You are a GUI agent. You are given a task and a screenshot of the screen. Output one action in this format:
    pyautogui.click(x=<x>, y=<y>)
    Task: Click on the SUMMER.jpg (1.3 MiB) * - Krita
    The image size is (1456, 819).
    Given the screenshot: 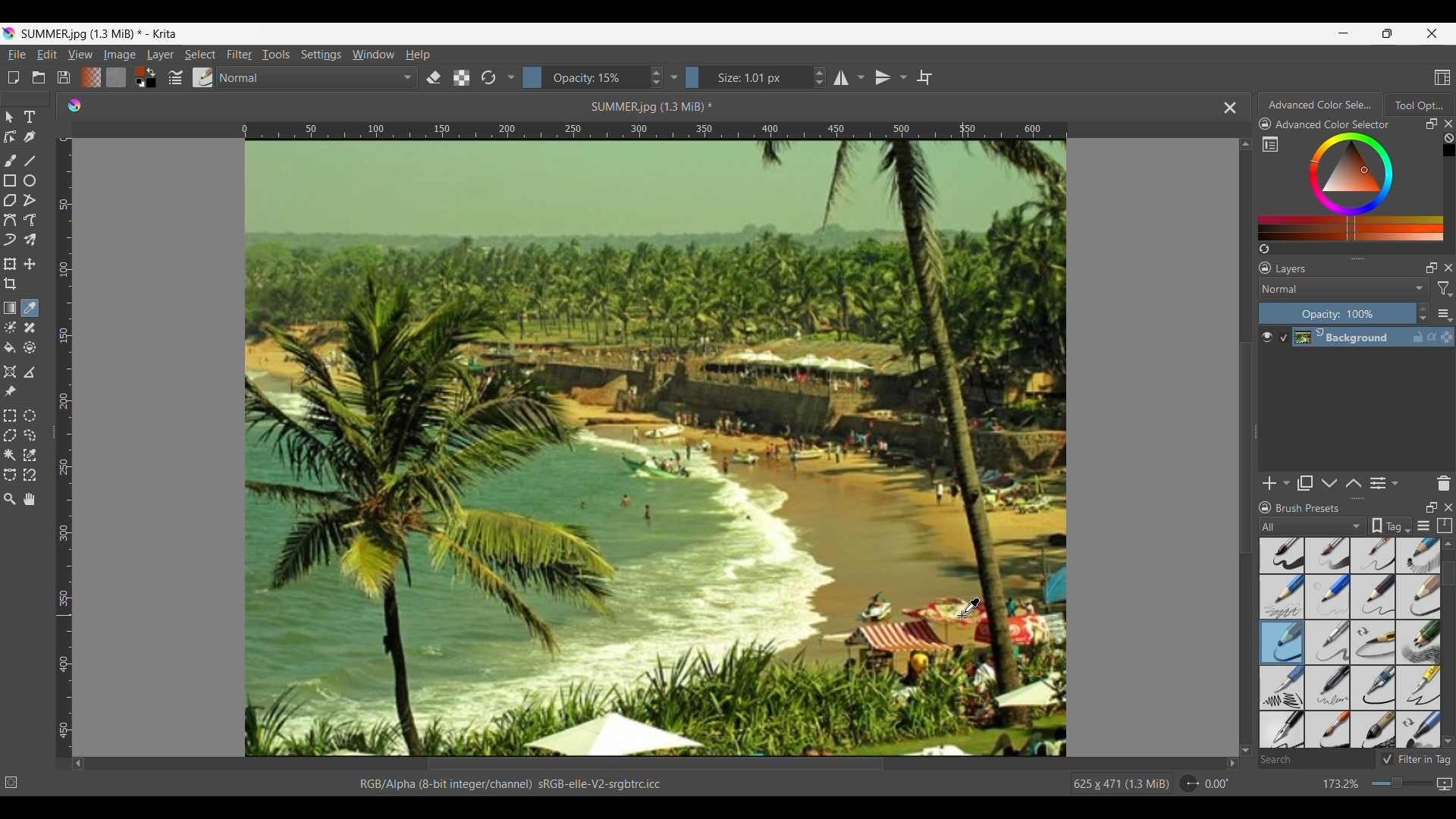 What is the action you would take?
    pyautogui.click(x=100, y=33)
    